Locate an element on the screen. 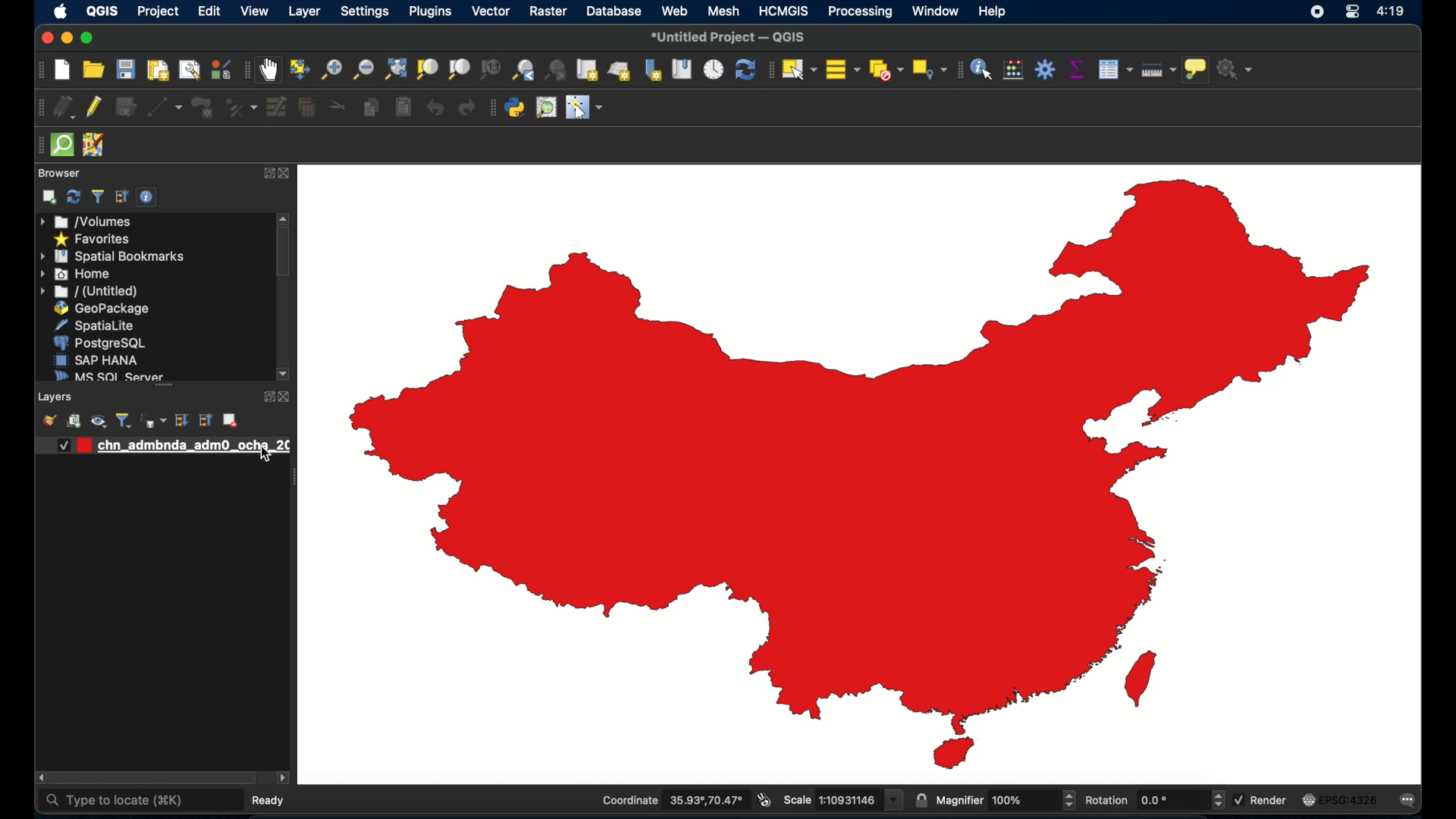 This screenshot has width=1456, height=819. zoom to layer is located at coordinates (460, 69).